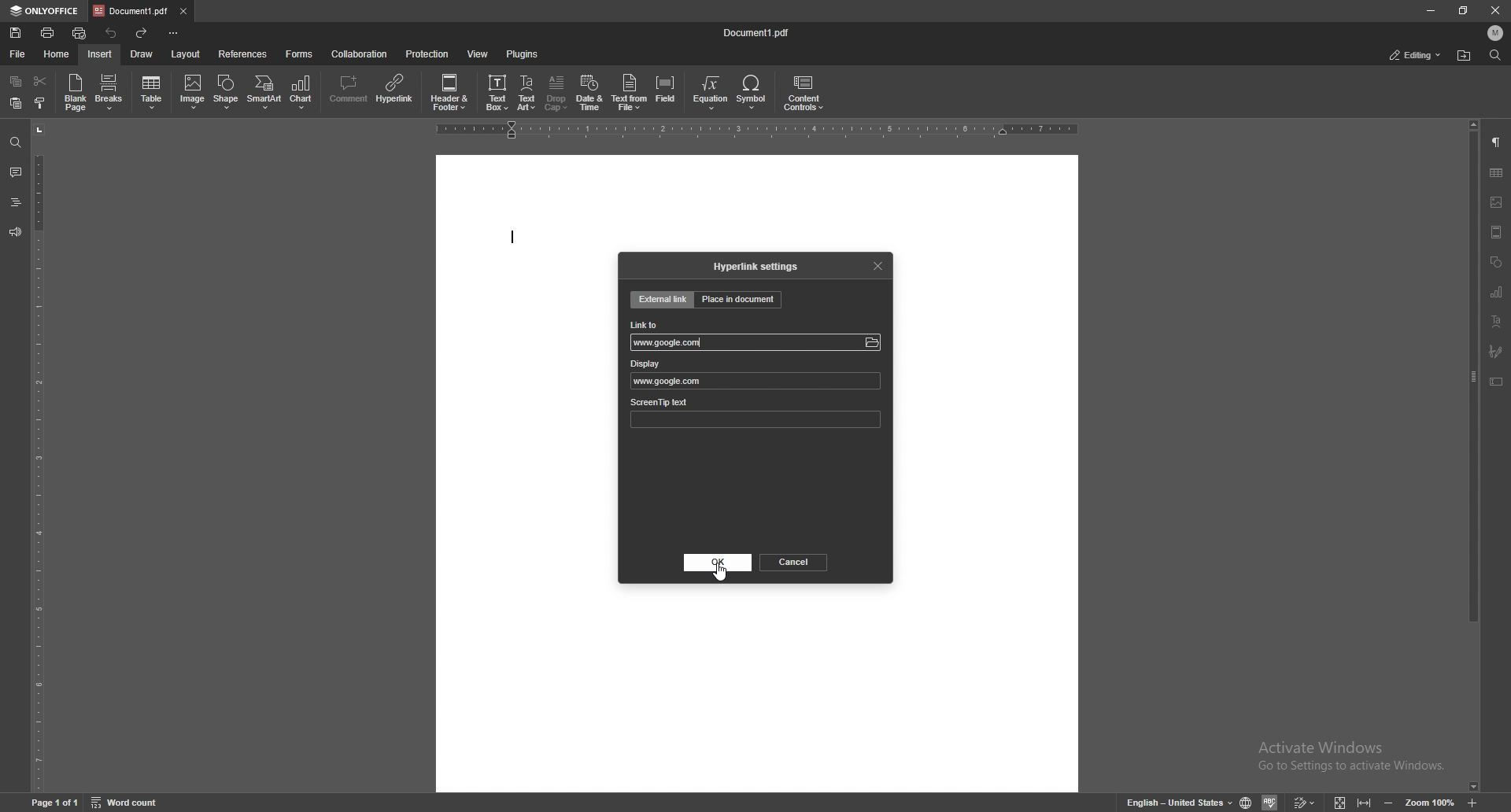  What do you see at coordinates (113, 34) in the screenshot?
I see `undo` at bounding box center [113, 34].